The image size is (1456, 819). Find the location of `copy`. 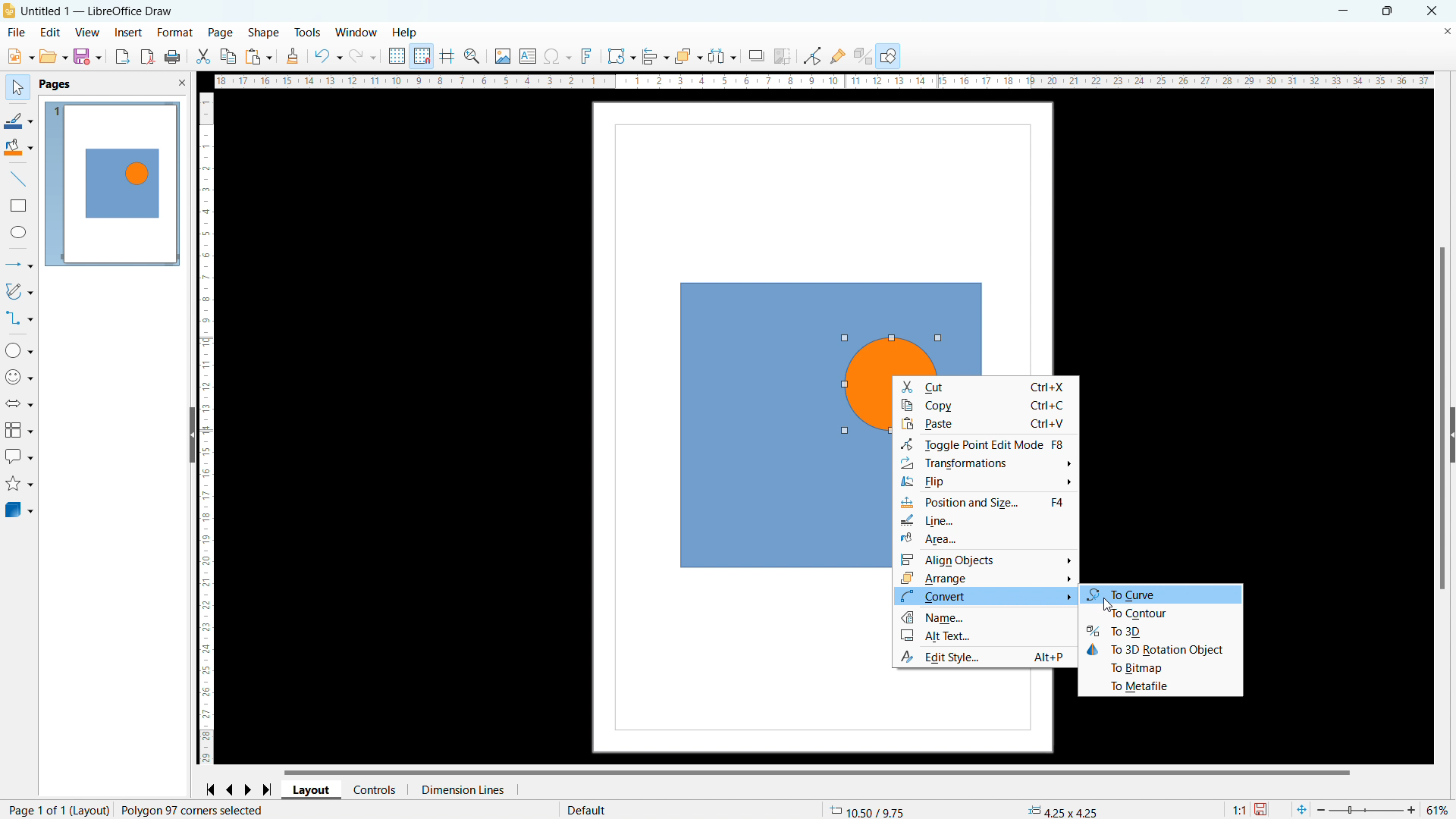

copy is located at coordinates (228, 56).